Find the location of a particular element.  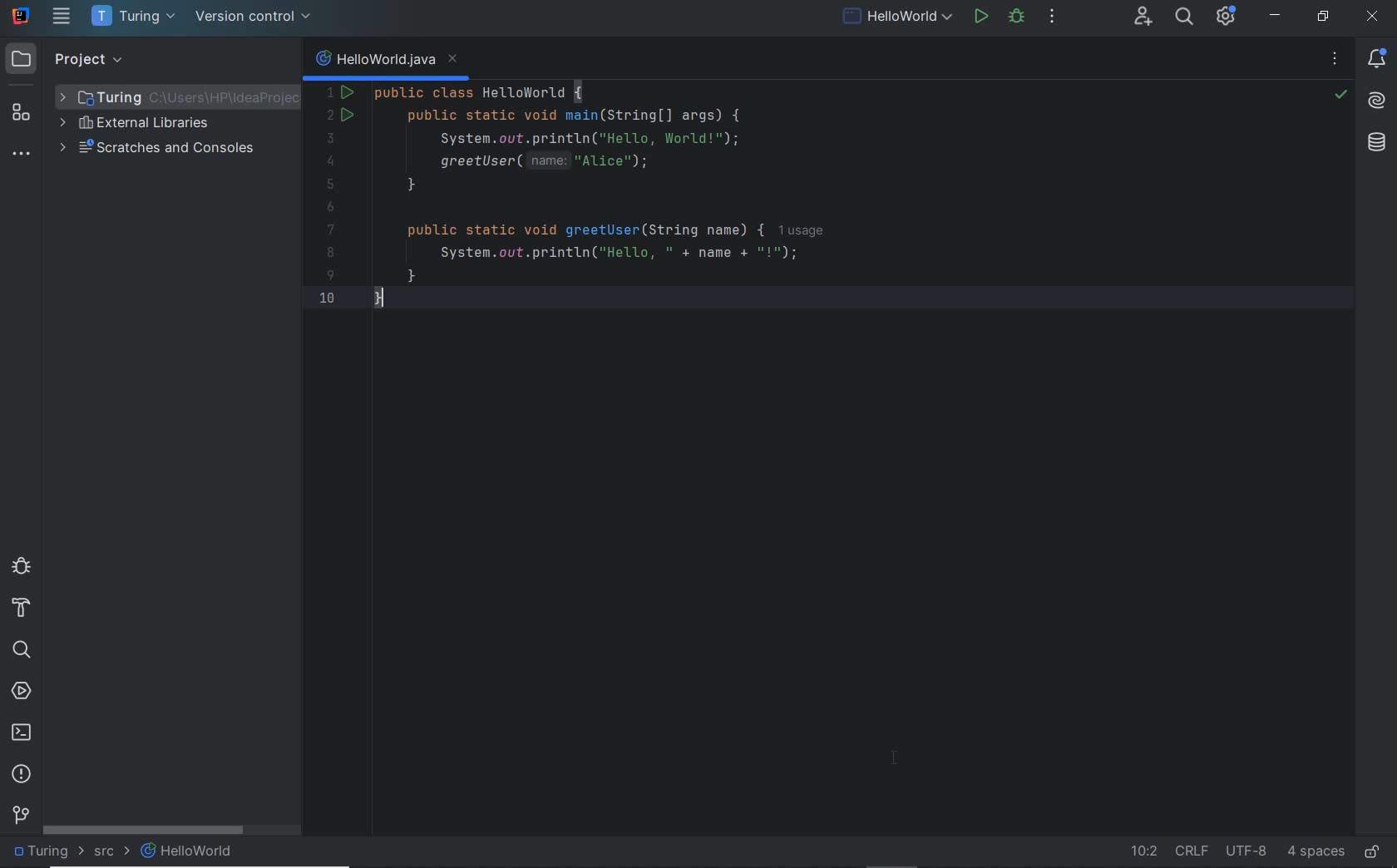

go to line is located at coordinates (1143, 853).